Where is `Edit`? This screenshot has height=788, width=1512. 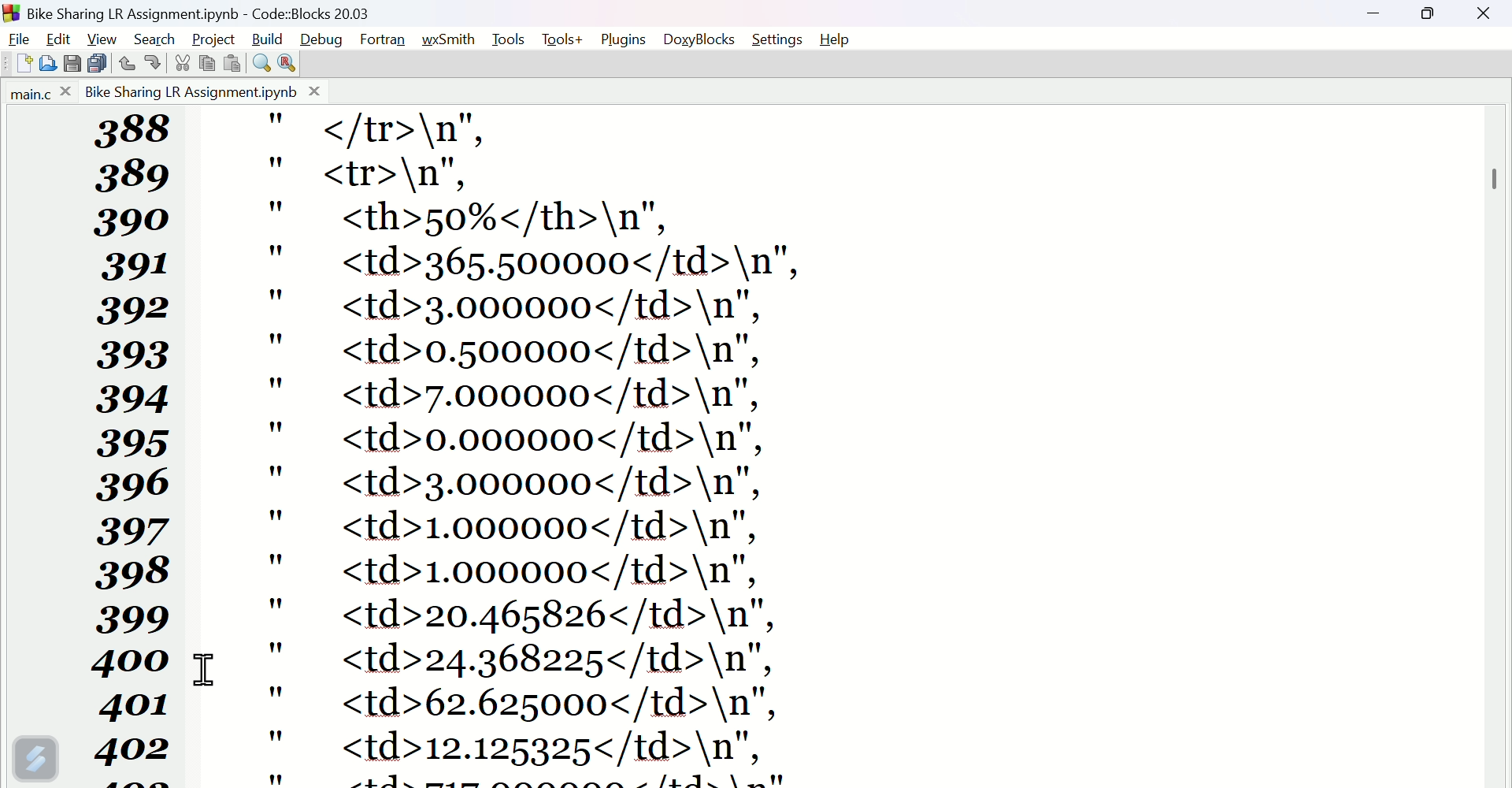 Edit is located at coordinates (57, 39).